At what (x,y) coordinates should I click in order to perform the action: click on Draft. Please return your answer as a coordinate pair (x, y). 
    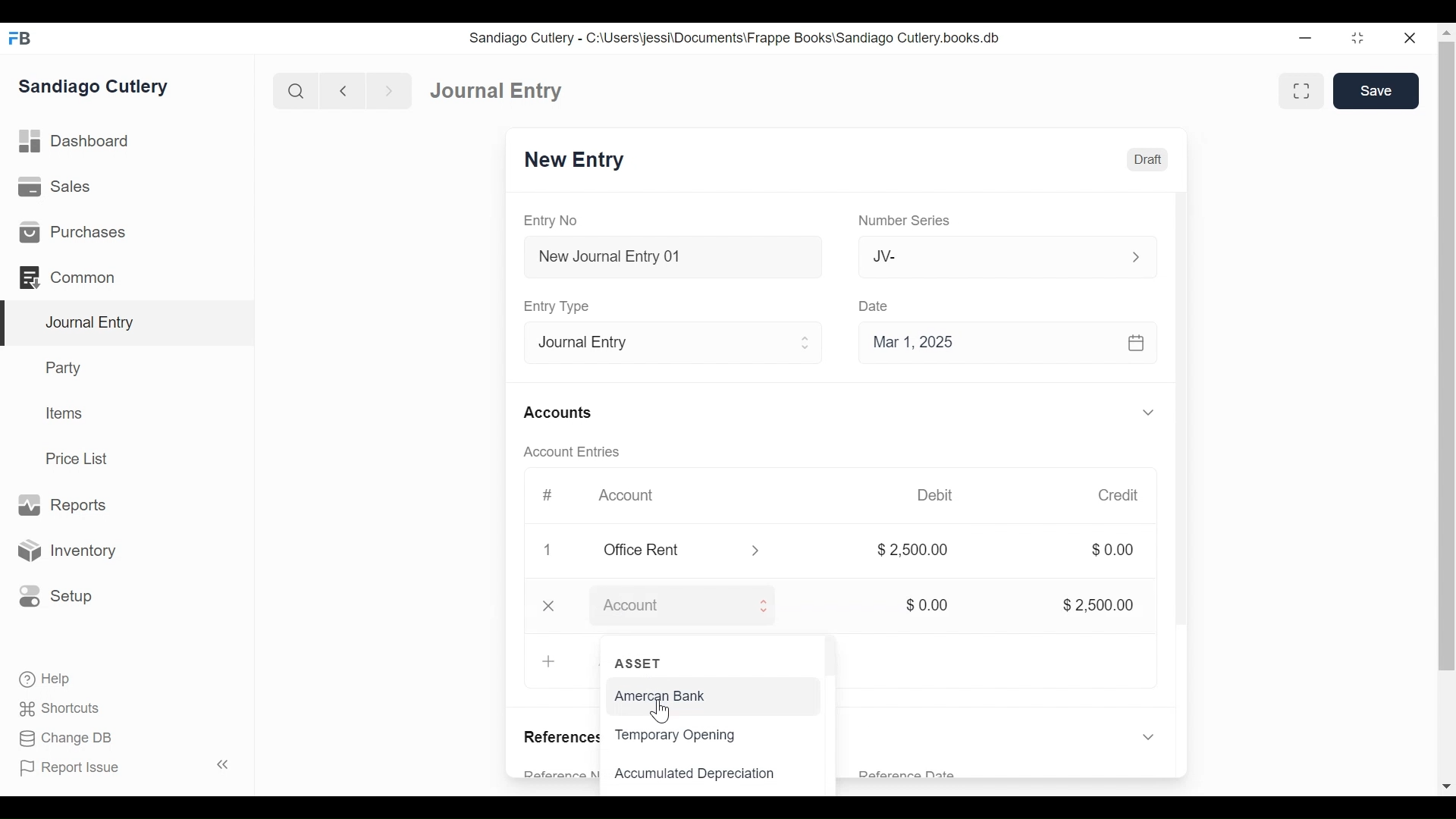
    Looking at the image, I should click on (1155, 159).